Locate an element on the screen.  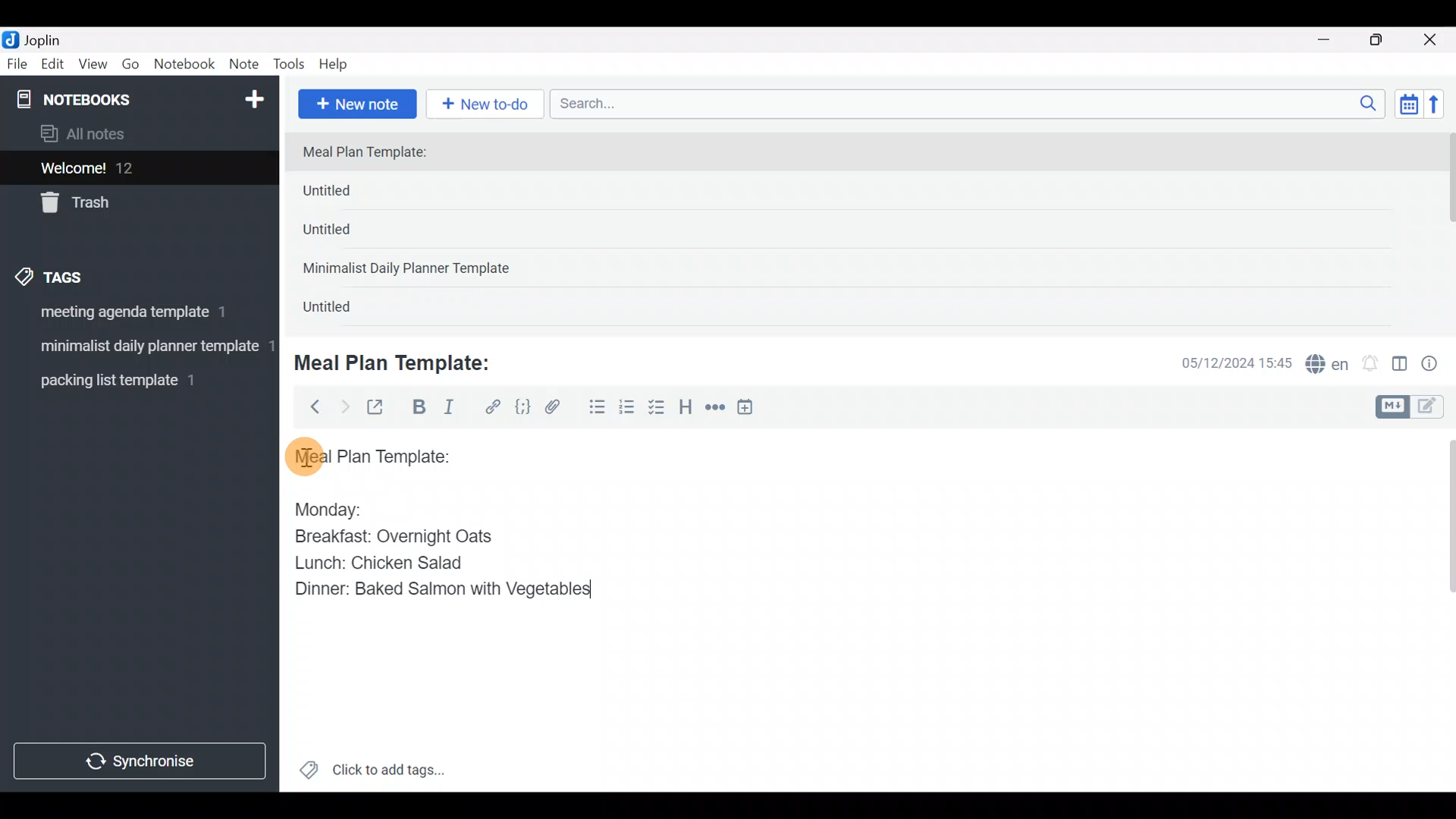
Monday: is located at coordinates (318, 507).